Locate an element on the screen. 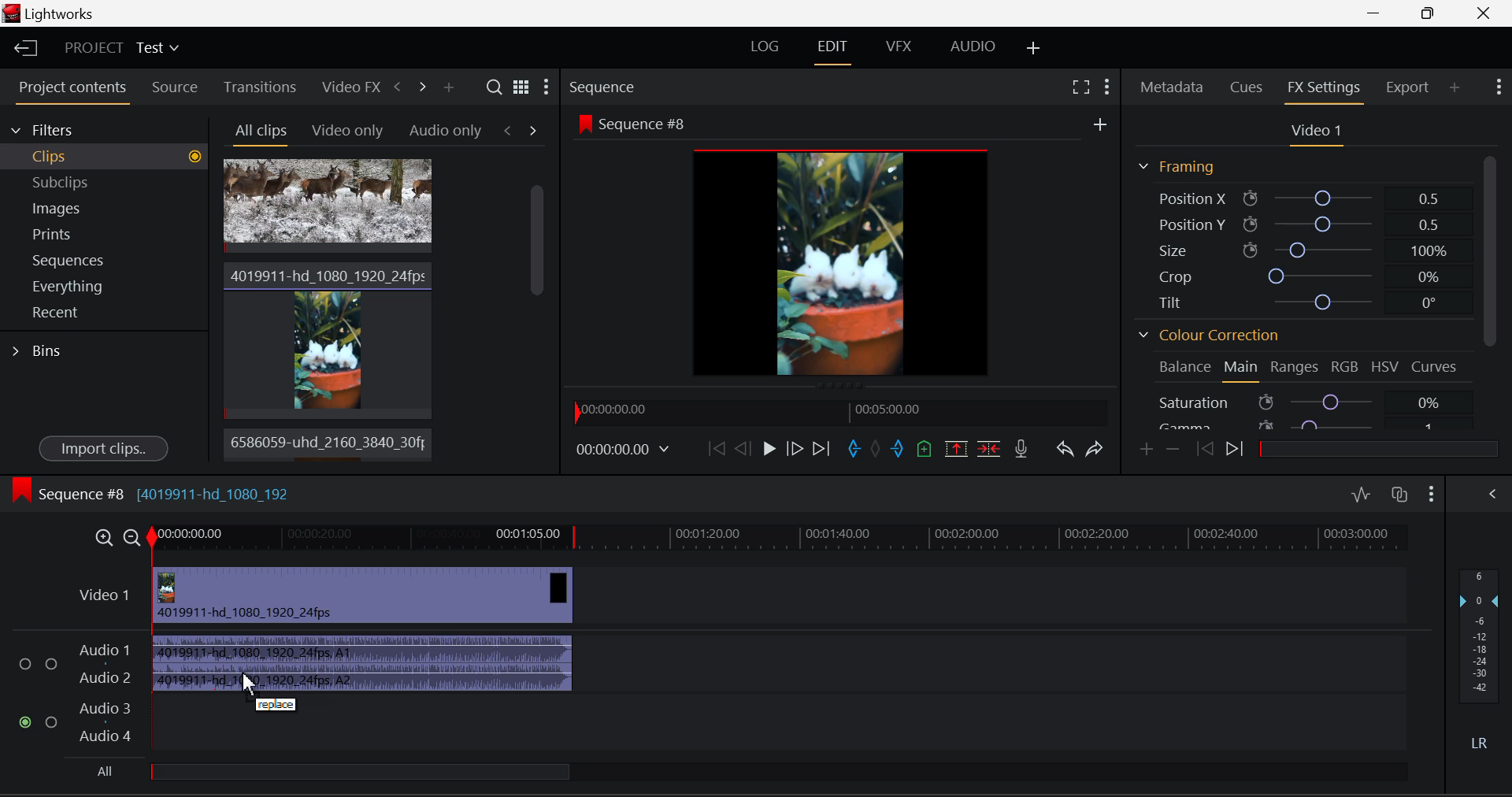 This screenshot has height=797, width=1512. RGB is located at coordinates (1343, 365).